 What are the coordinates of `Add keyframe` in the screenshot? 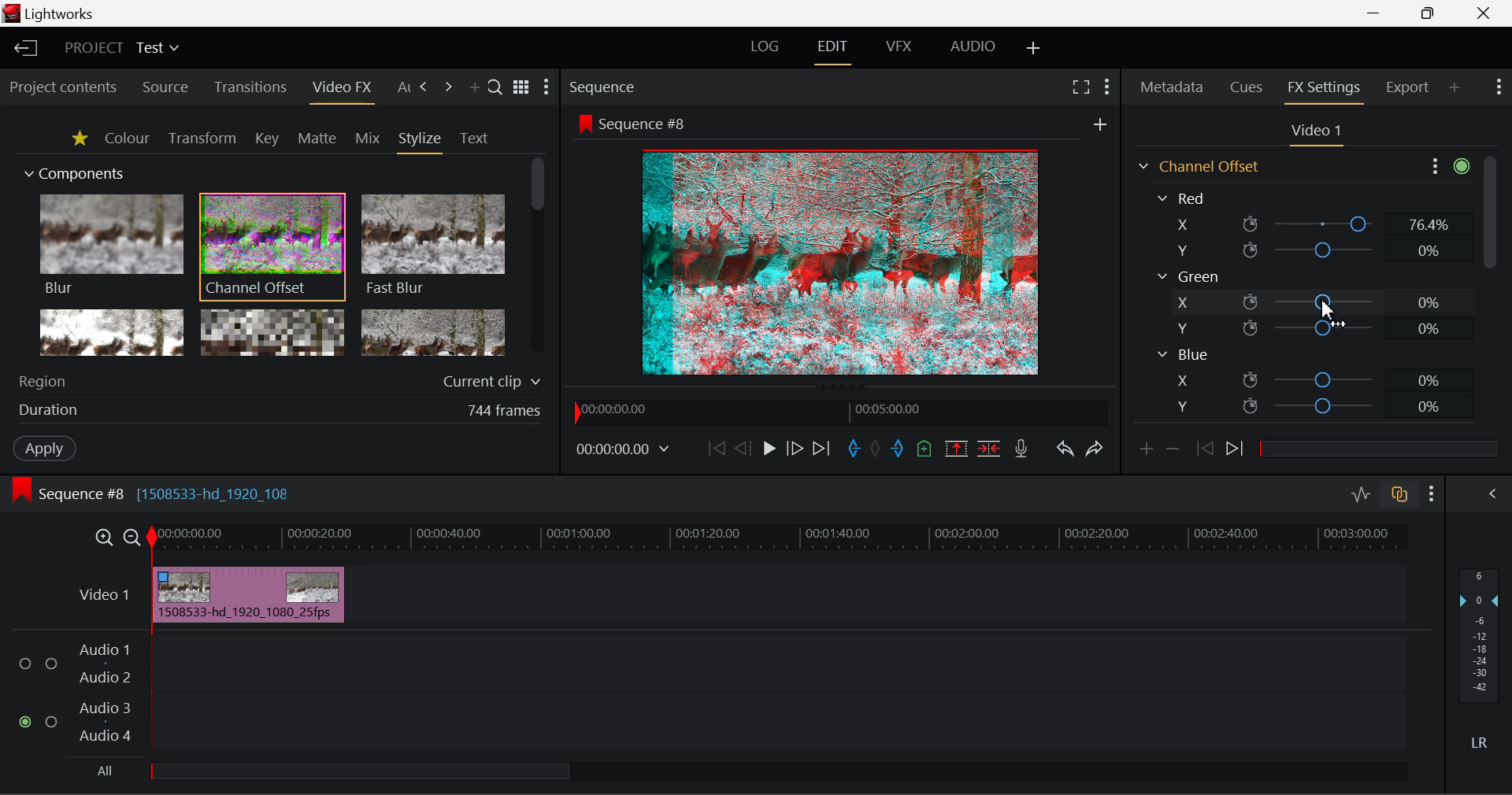 It's located at (1145, 453).